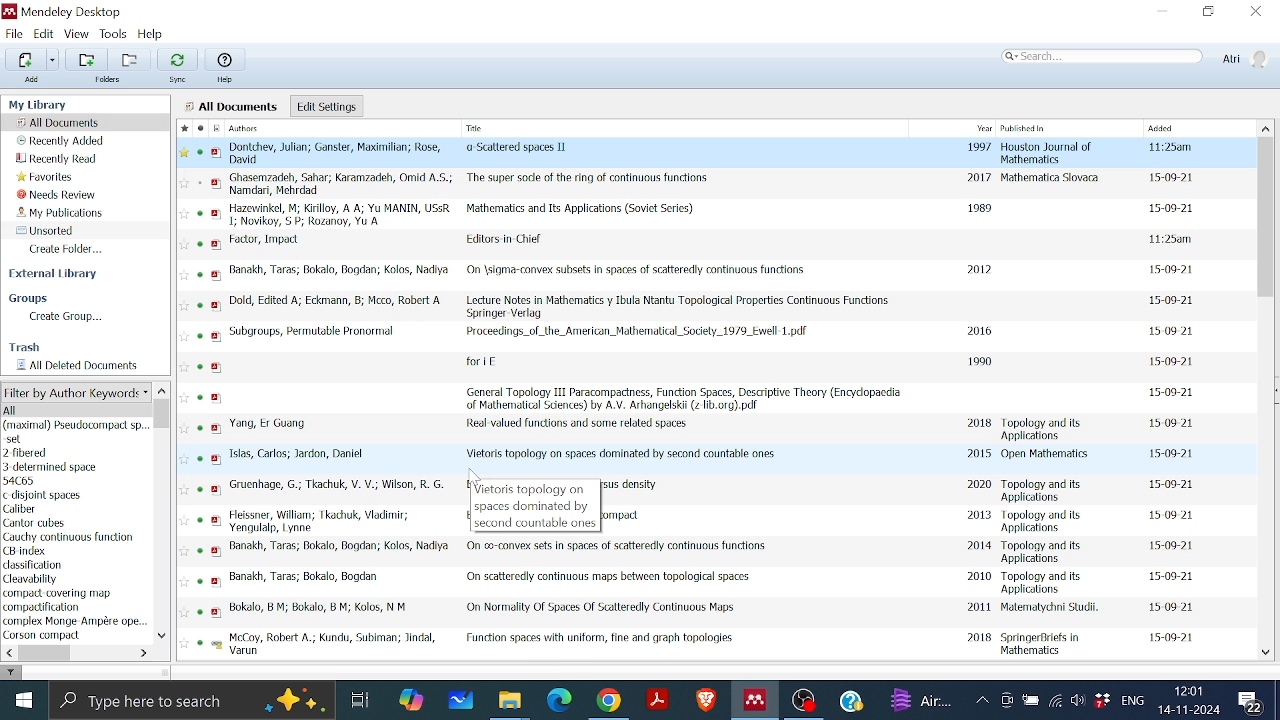  What do you see at coordinates (1189, 699) in the screenshot?
I see `Date and time` at bounding box center [1189, 699].